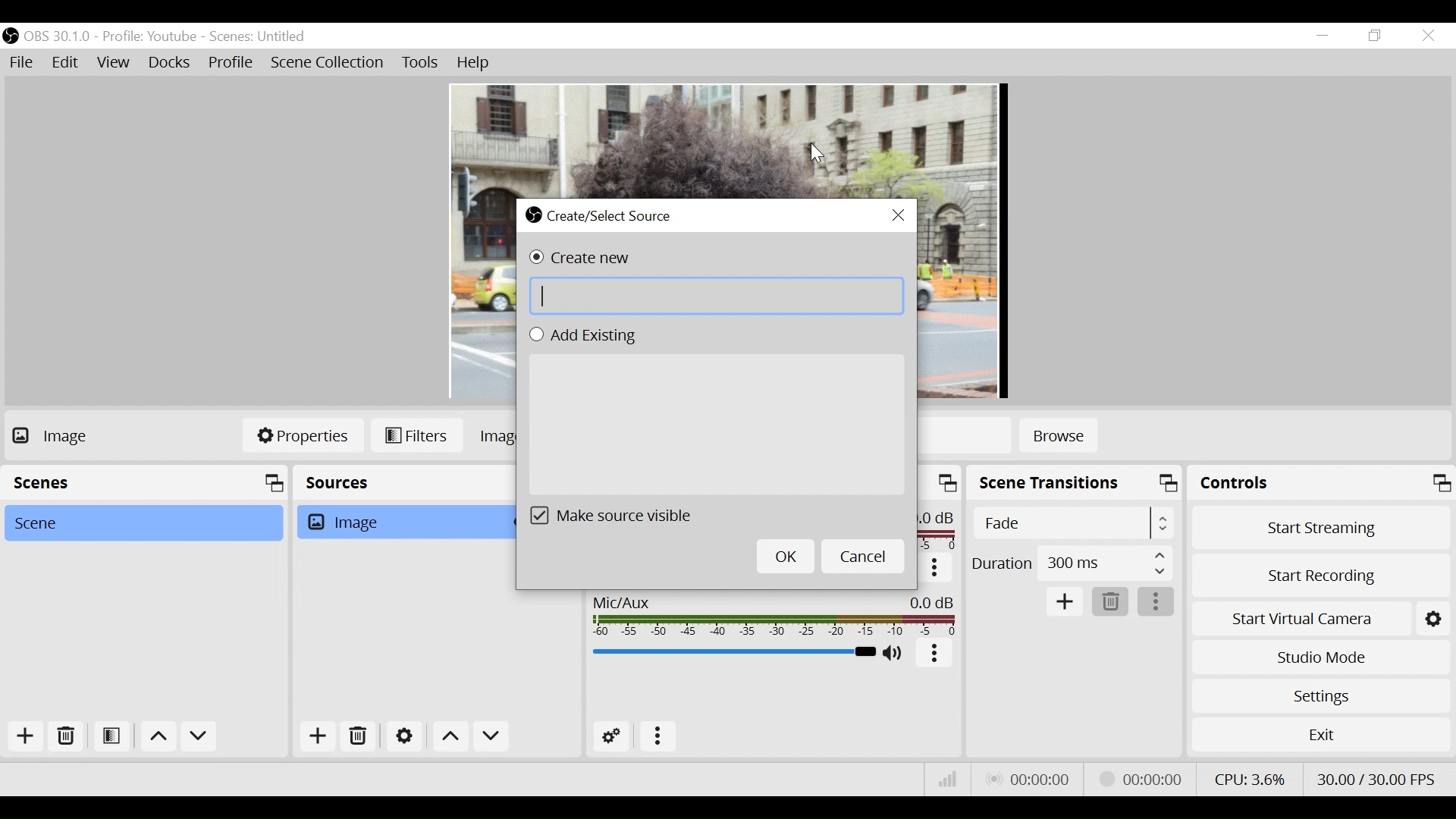 The image size is (1456, 819). I want to click on Properties, so click(303, 436).